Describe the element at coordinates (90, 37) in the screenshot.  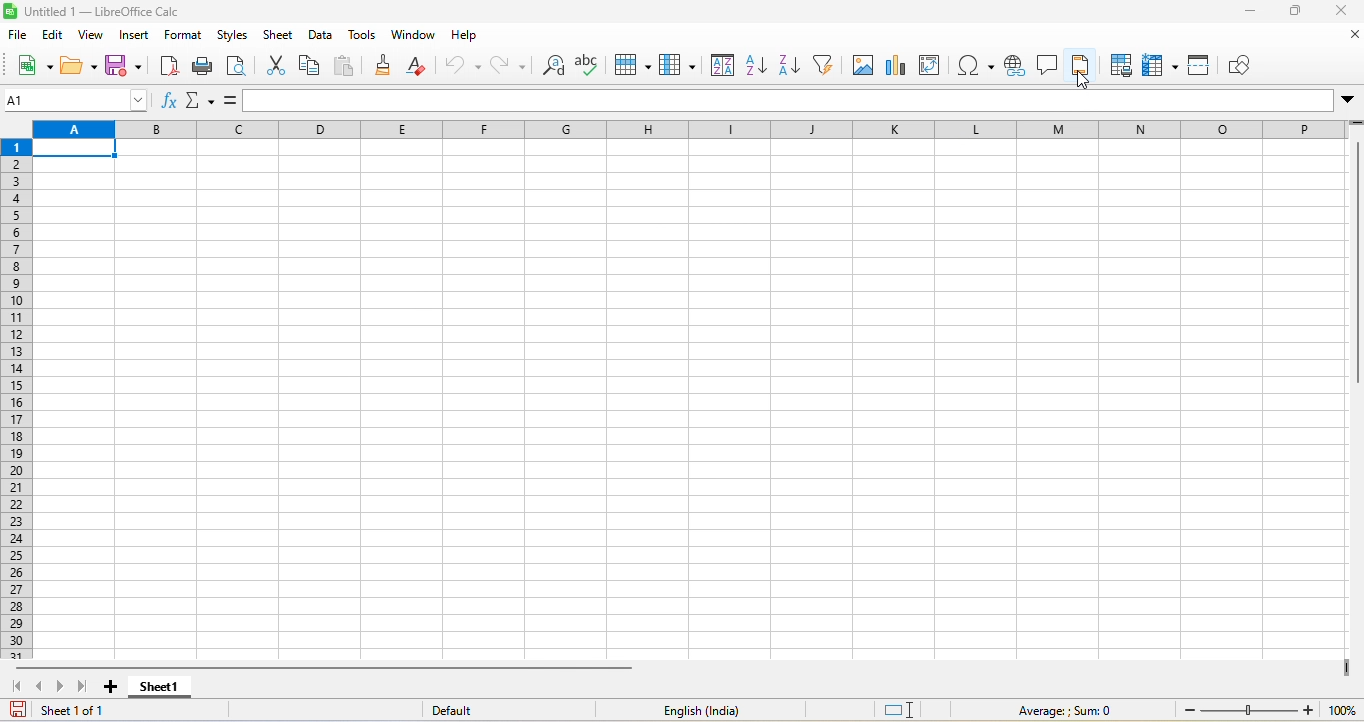
I see `view` at that location.